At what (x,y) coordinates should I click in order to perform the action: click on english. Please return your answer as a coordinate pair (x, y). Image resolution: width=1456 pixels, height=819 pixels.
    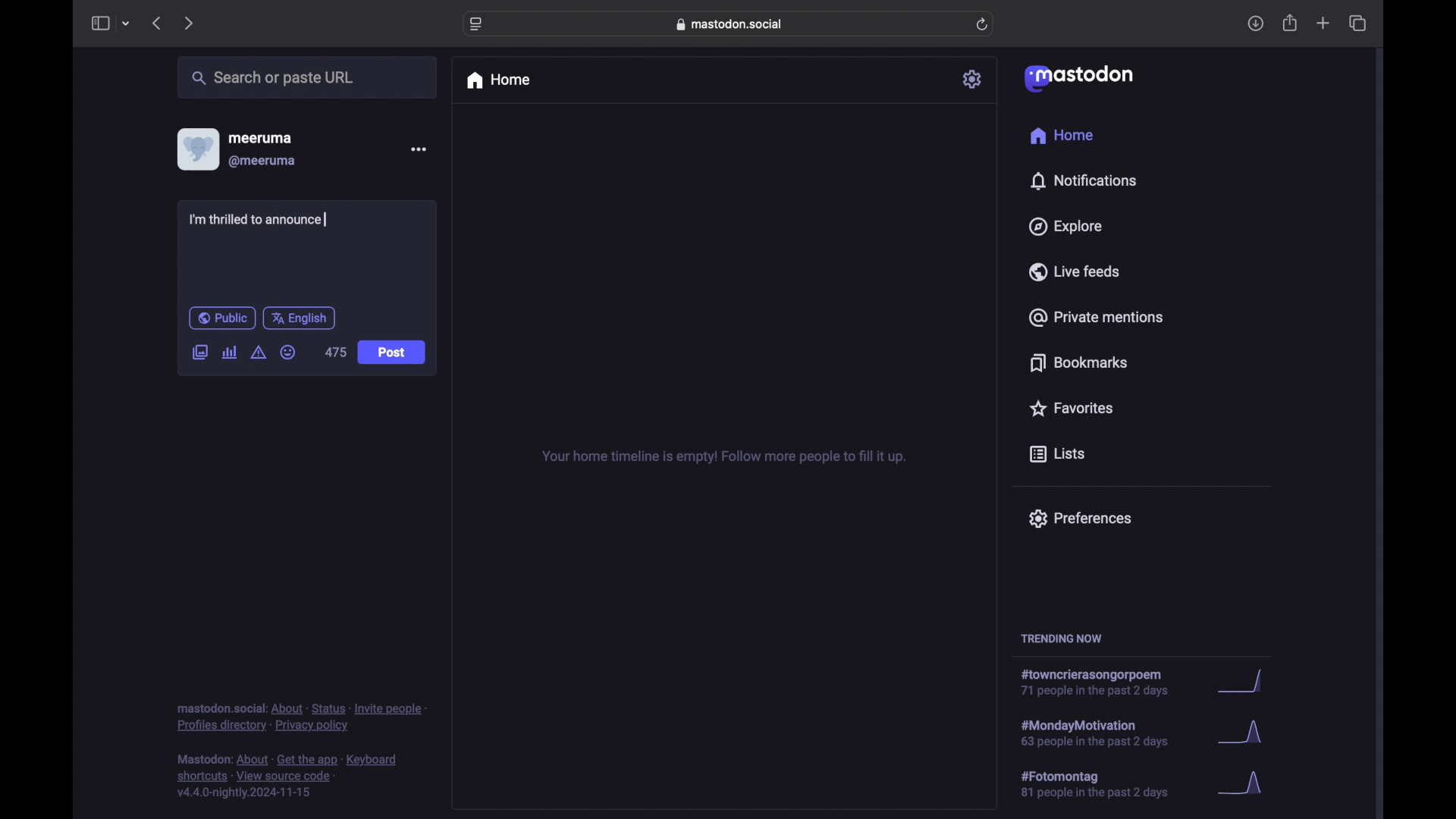
    Looking at the image, I should click on (299, 319).